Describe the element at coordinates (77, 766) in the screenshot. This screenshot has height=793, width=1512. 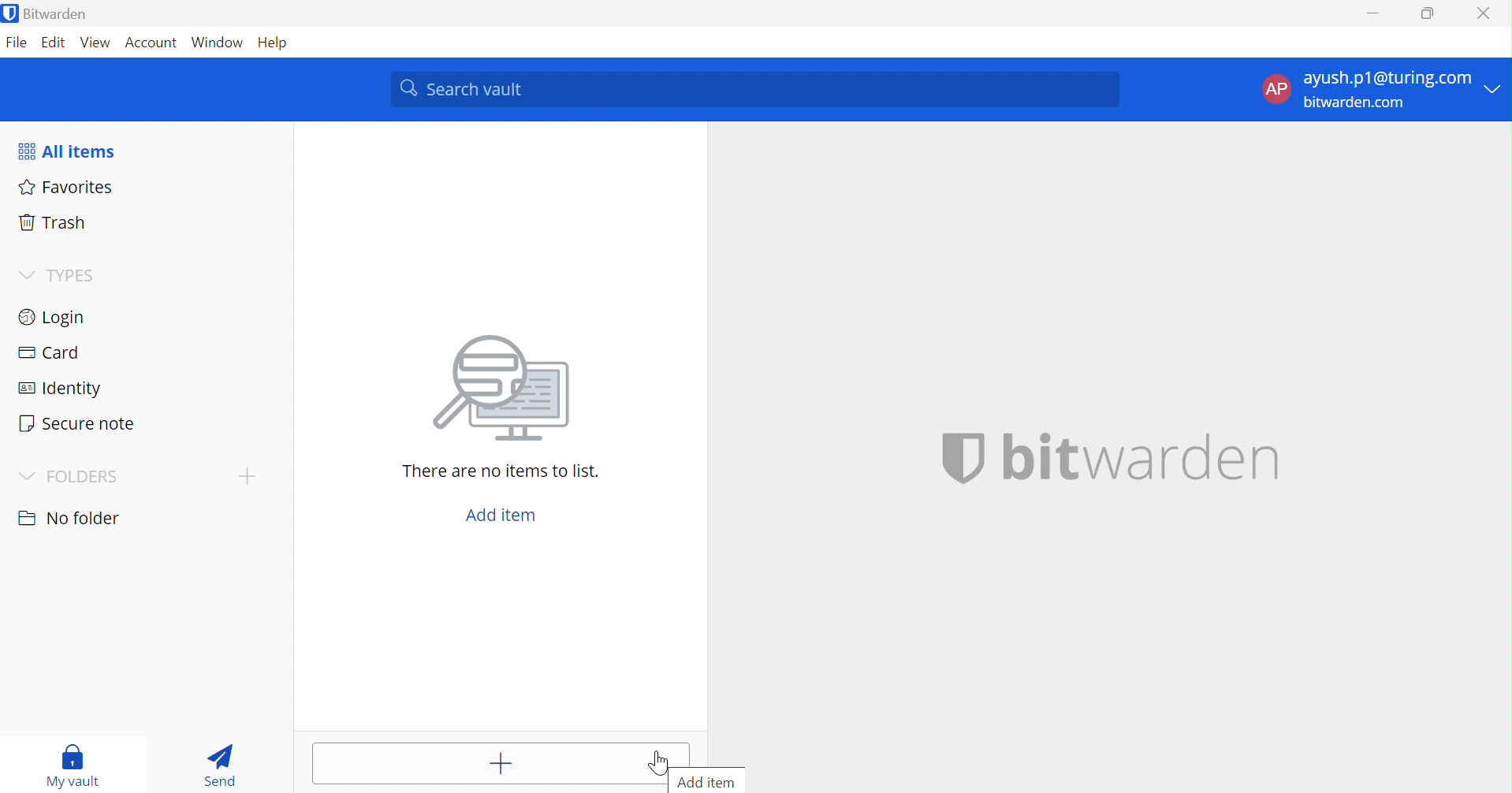
I see `My vault` at that location.